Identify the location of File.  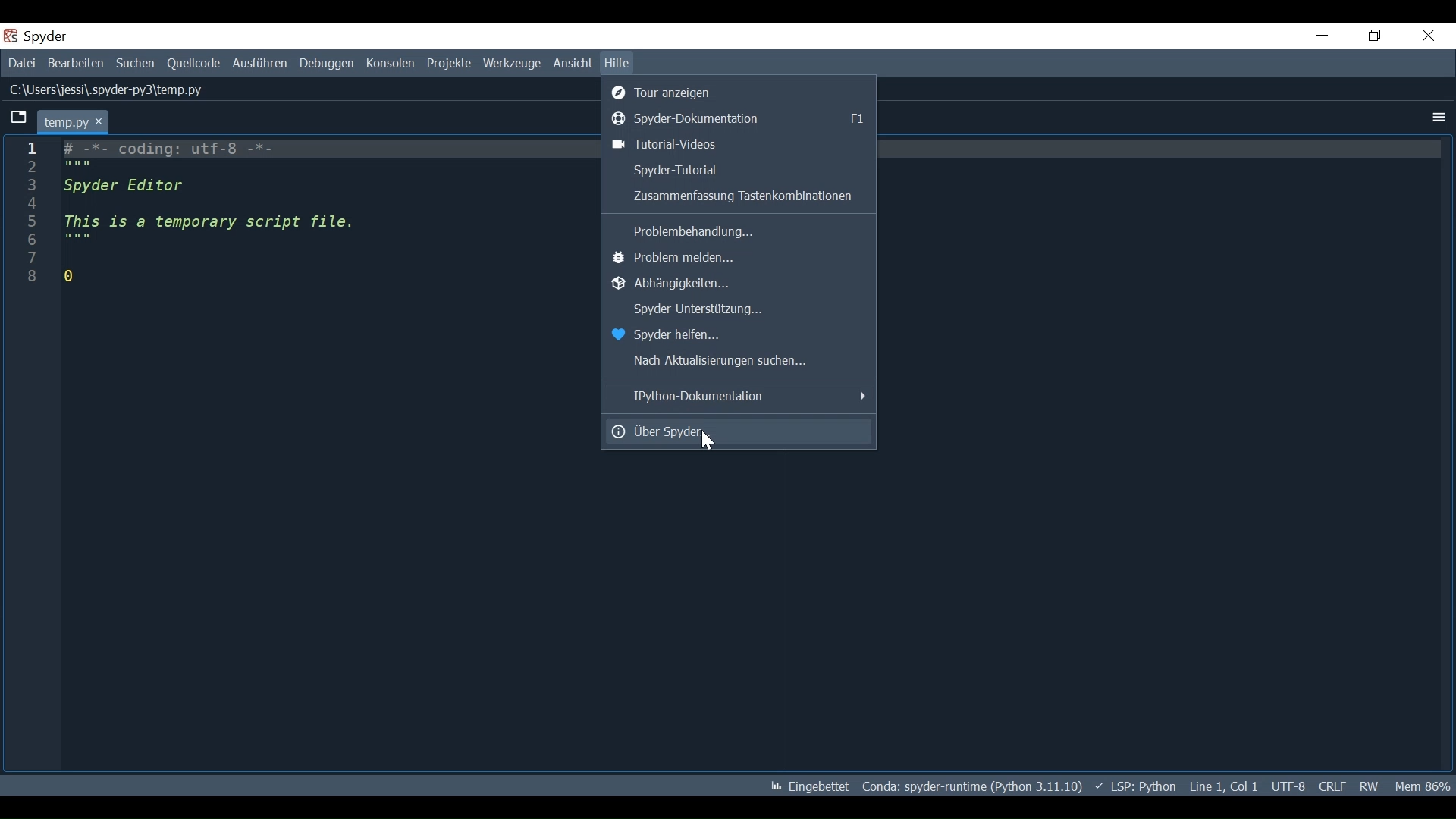
(20, 62).